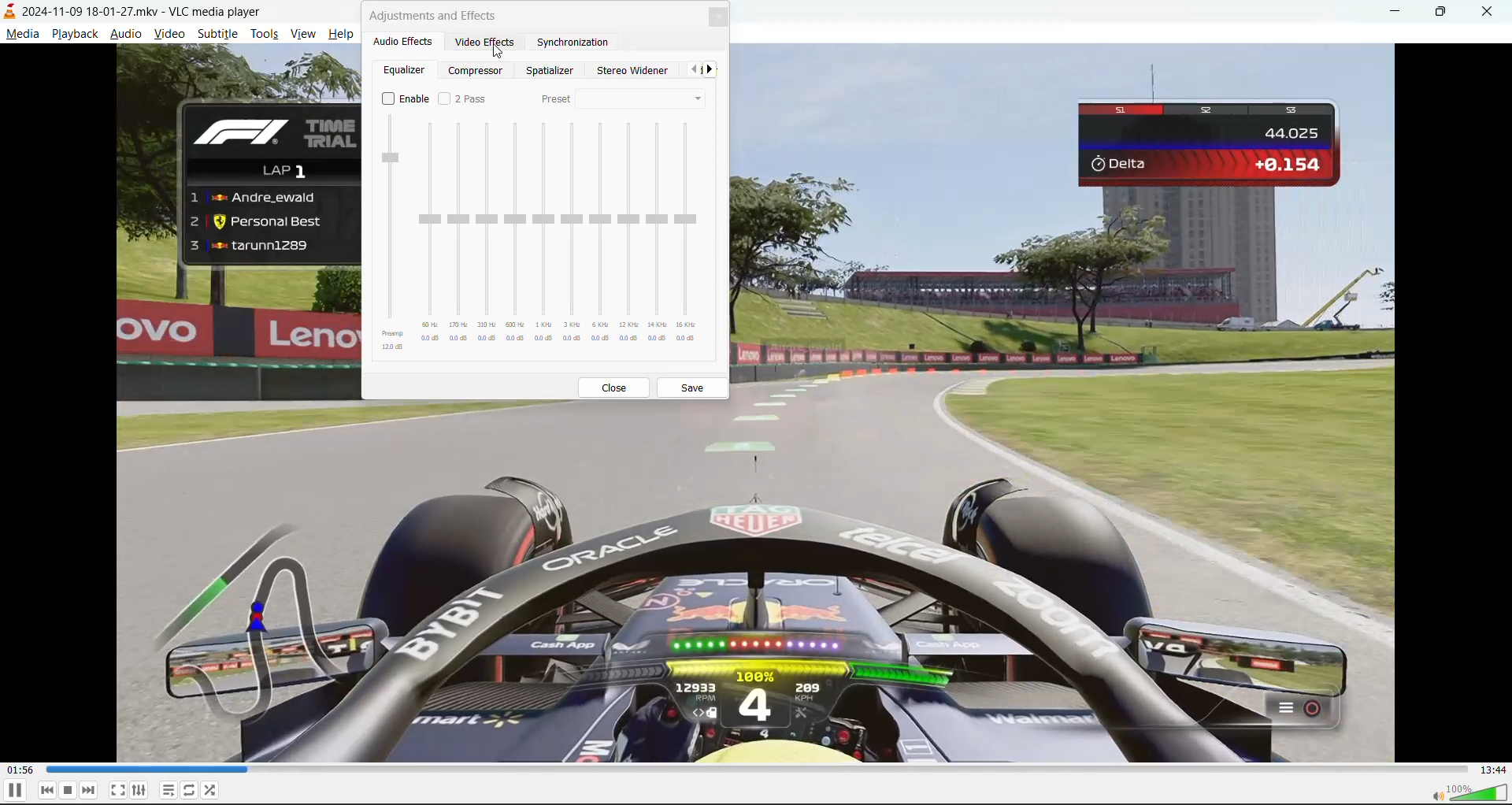 This screenshot has height=805, width=1512. Describe the element at coordinates (1471, 794) in the screenshot. I see `volume` at that location.